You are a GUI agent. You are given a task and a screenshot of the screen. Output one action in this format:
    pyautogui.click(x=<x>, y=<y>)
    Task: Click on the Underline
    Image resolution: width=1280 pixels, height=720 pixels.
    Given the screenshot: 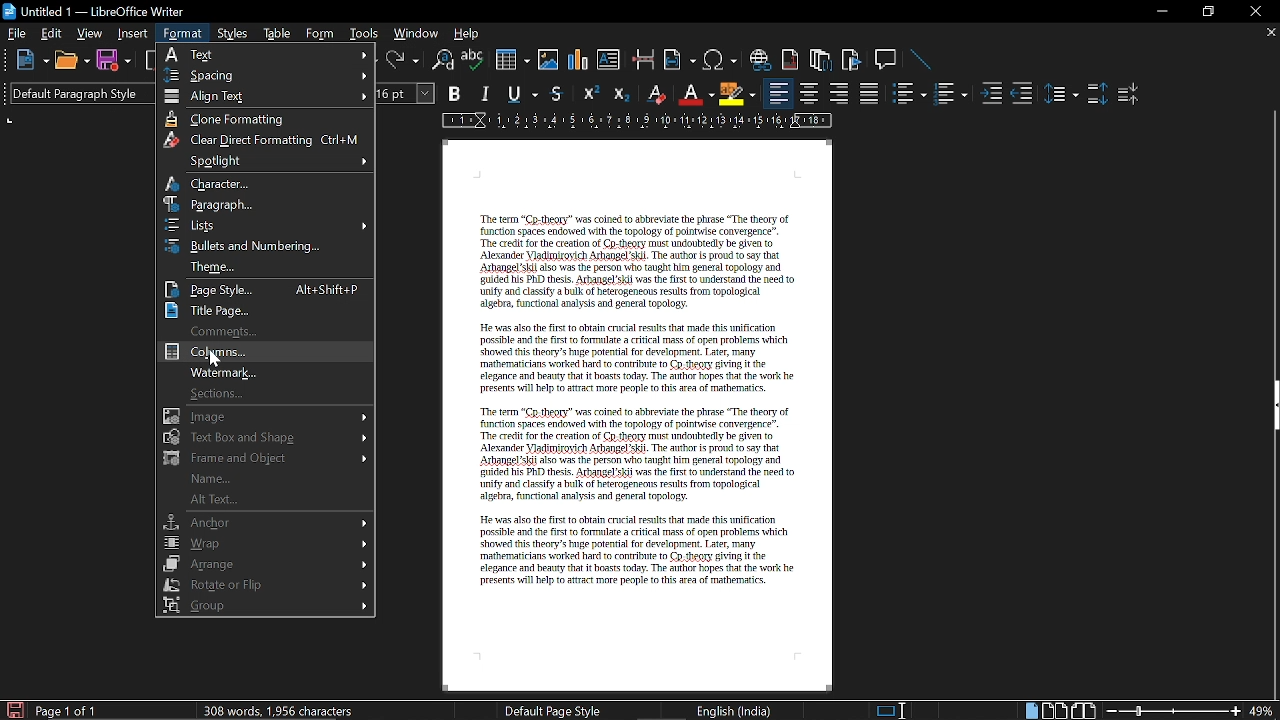 What is the action you would take?
    pyautogui.click(x=524, y=95)
    